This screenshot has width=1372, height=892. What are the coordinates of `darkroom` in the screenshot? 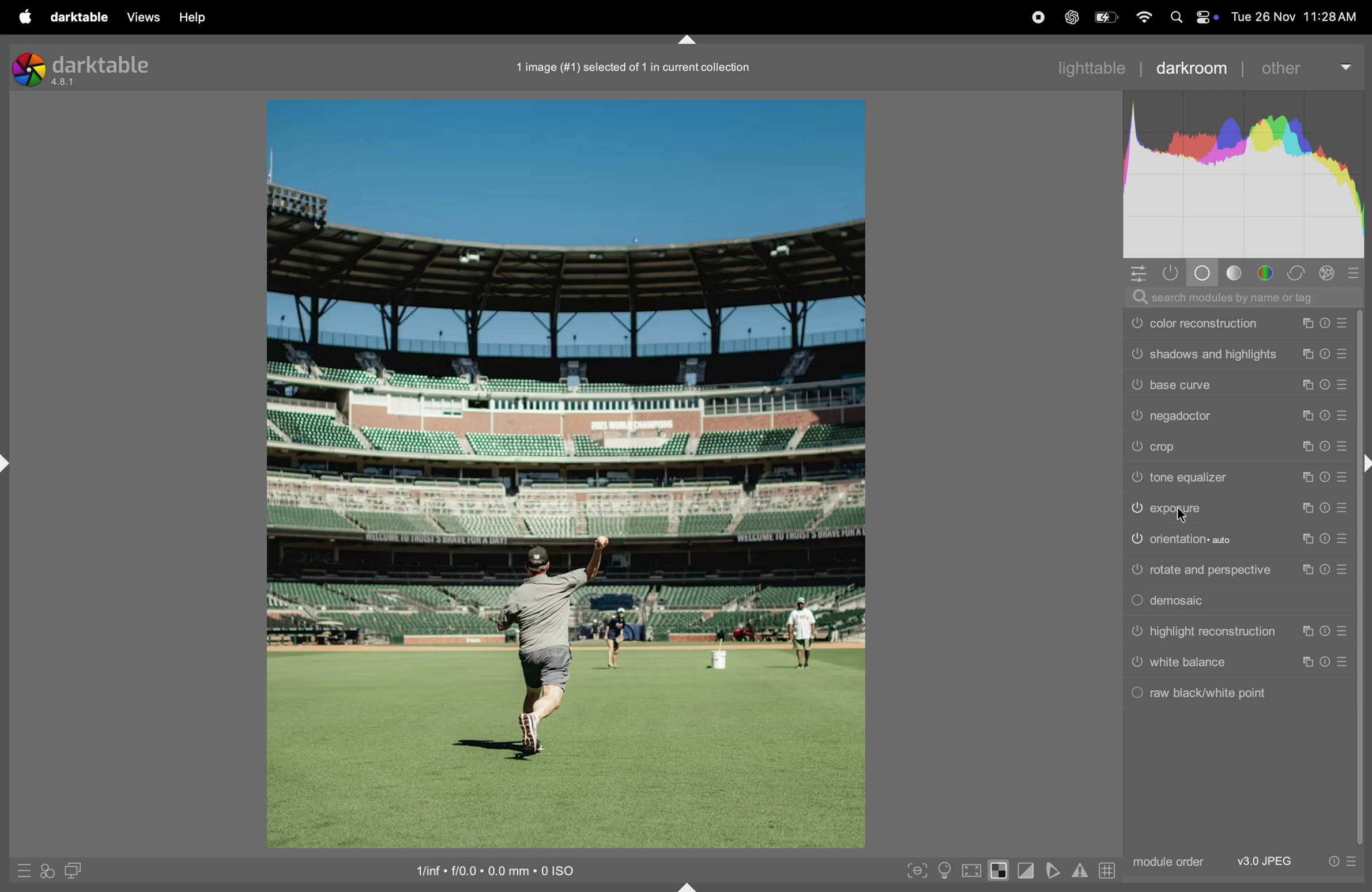 It's located at (1189, 67).